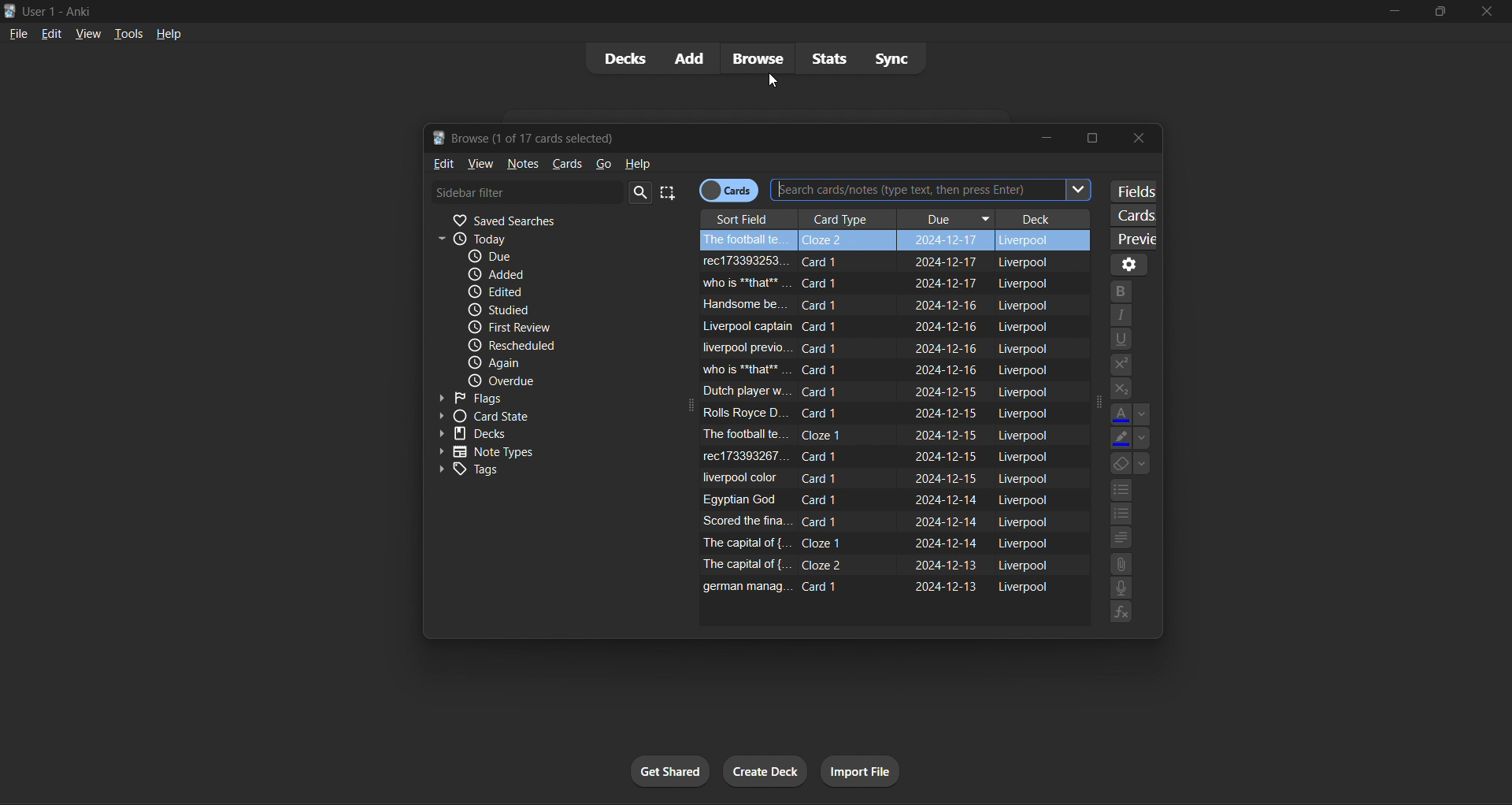 Image resolution: width=1512 pixels, height=805 pixels. What do you see at coordinates (568, 165) in the screenshot?
I see `cards` at bounding box center [568, 165].